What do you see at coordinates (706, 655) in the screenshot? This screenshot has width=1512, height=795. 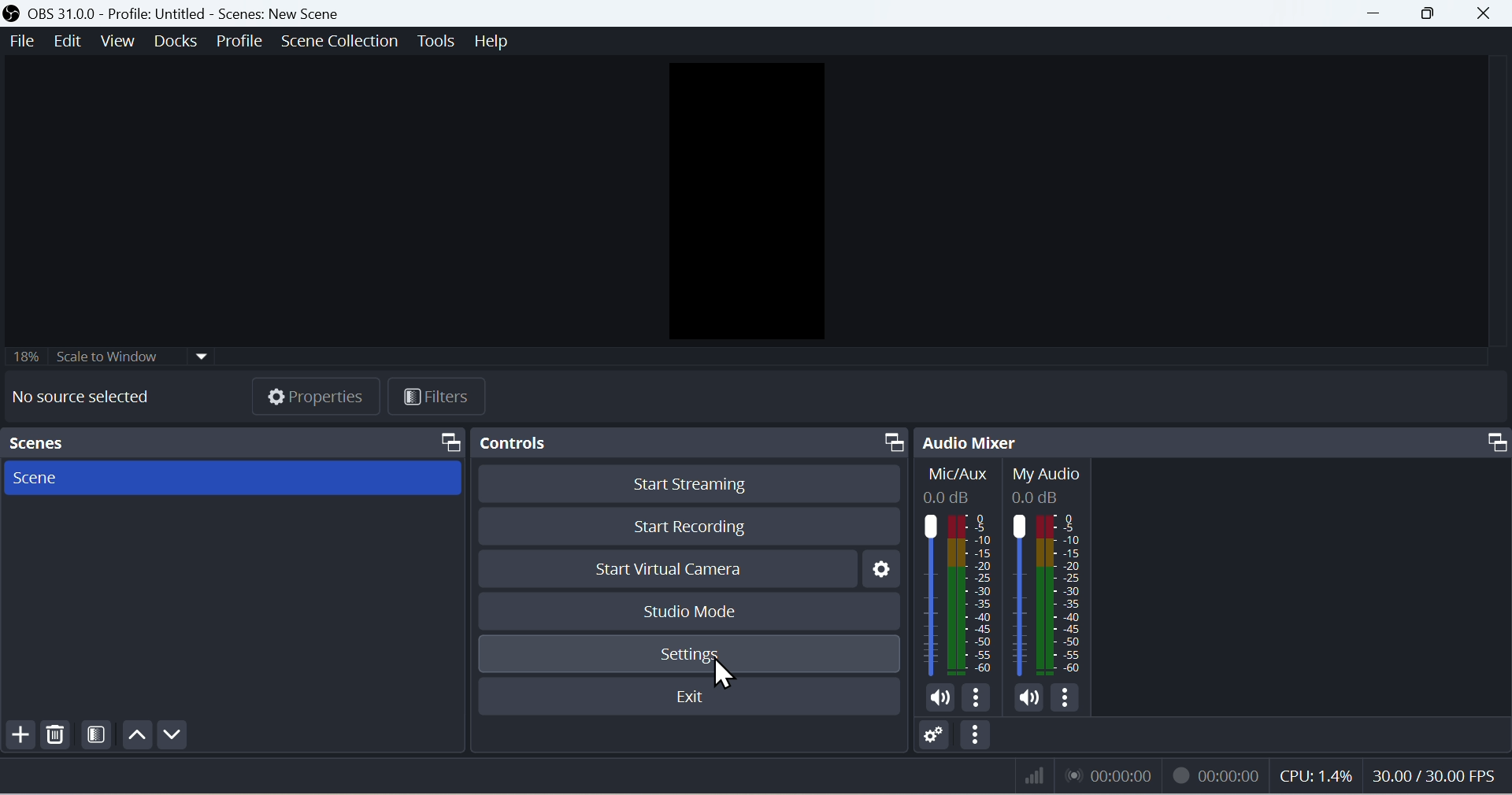 I see `Settings` at bounding box center [706, 655].